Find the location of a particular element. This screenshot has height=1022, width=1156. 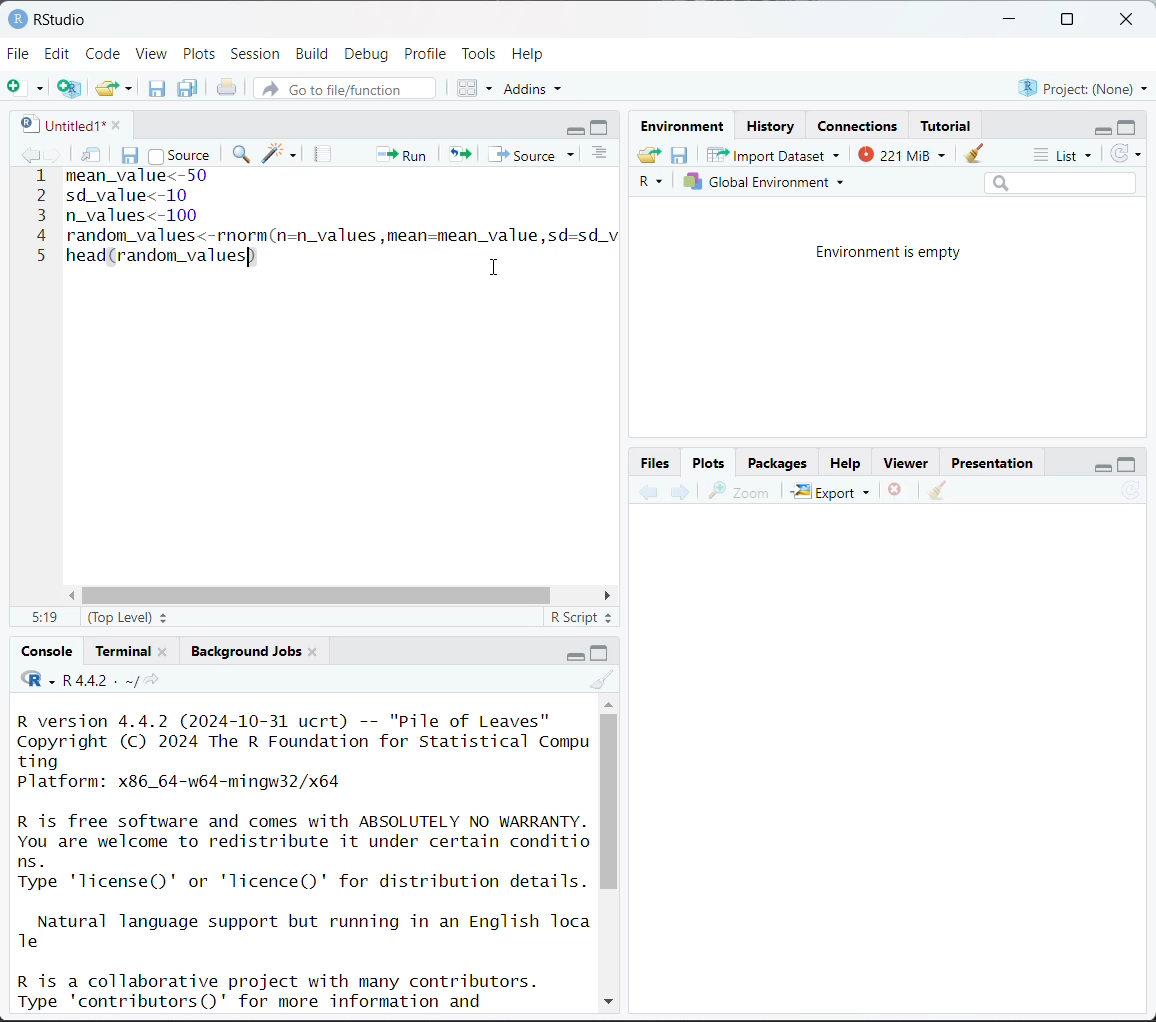

R version 4.4.2 (2024-10-31 ucrt) -- "Pile of Leaves"

Copyright (C) 2024 The R Foundation for Statistical Compu

ting

Platform: x86_64-w64-mingw32/x64

R is free software and comes with ABSOLUTELY NO WARRANTY.

You are welcome to redistribute it under certain conditio

ns.

Type 'license()' or 'licence()' for distribution details.
Natural language support but running in an English Toca

Te

R is a collaborative project with many contributors.

Type 'contributors()' for more information and is located at coordinates (305, 859).